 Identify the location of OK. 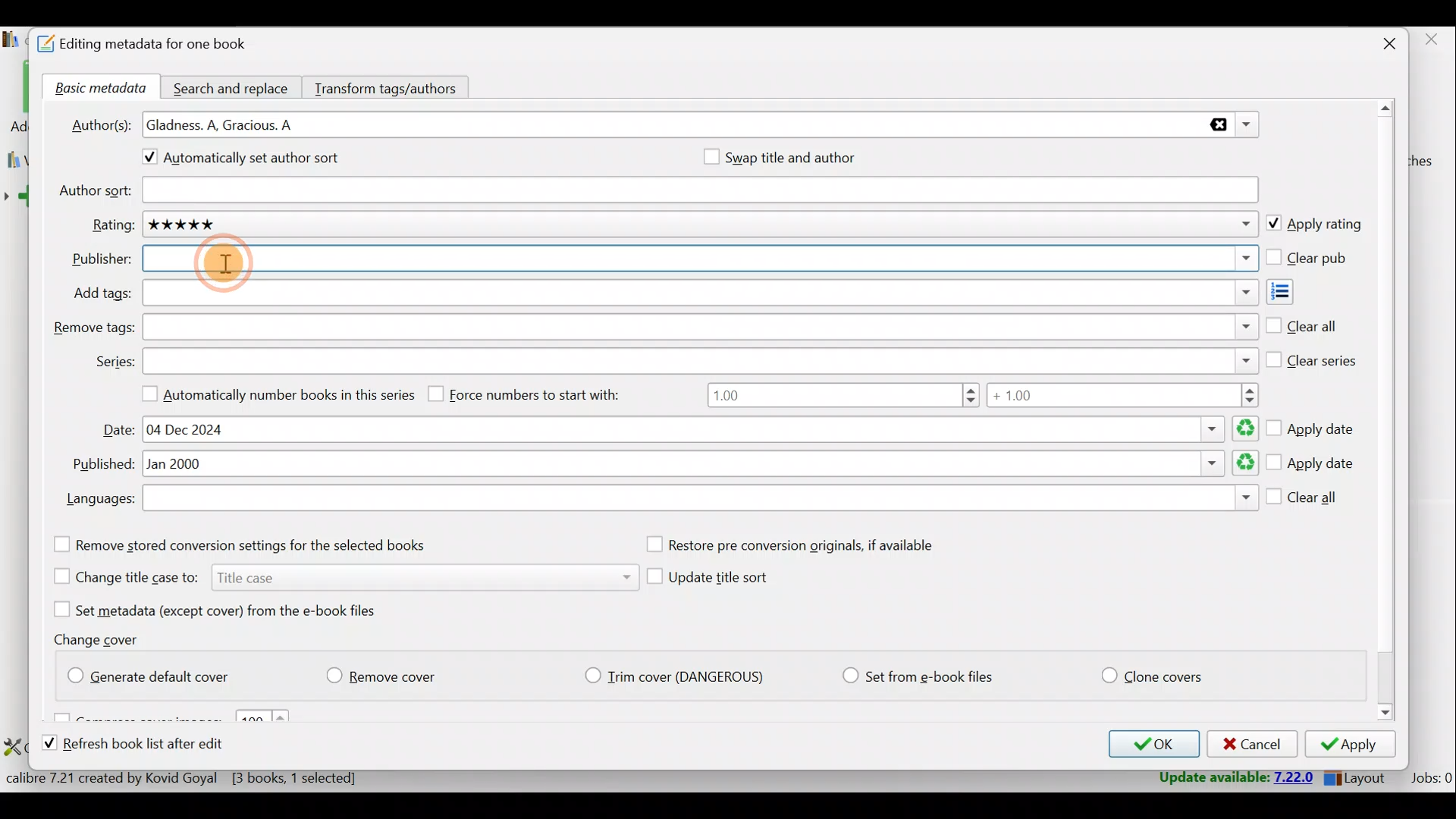
(1150, 744).